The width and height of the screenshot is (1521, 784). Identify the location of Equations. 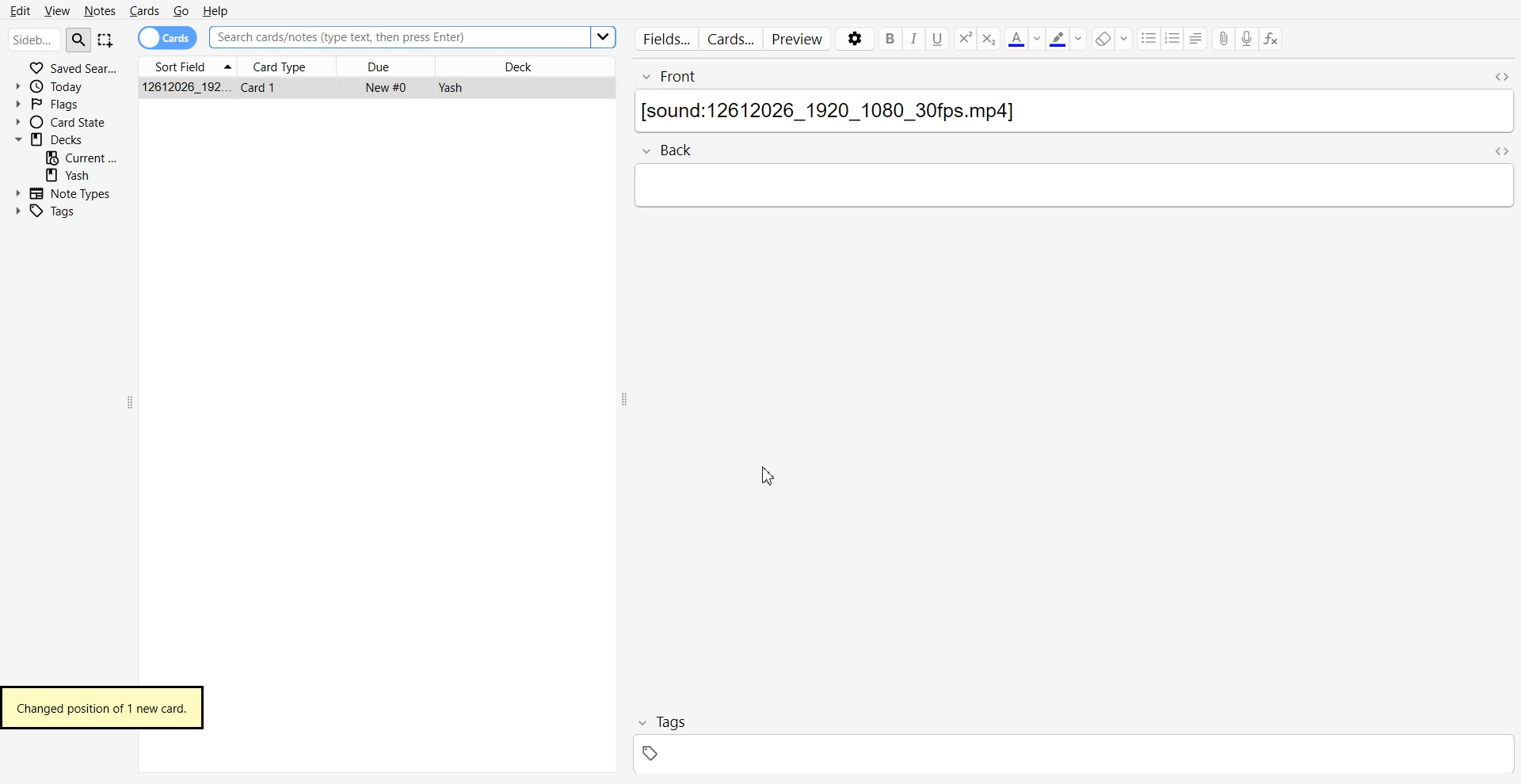
(1271, 40).